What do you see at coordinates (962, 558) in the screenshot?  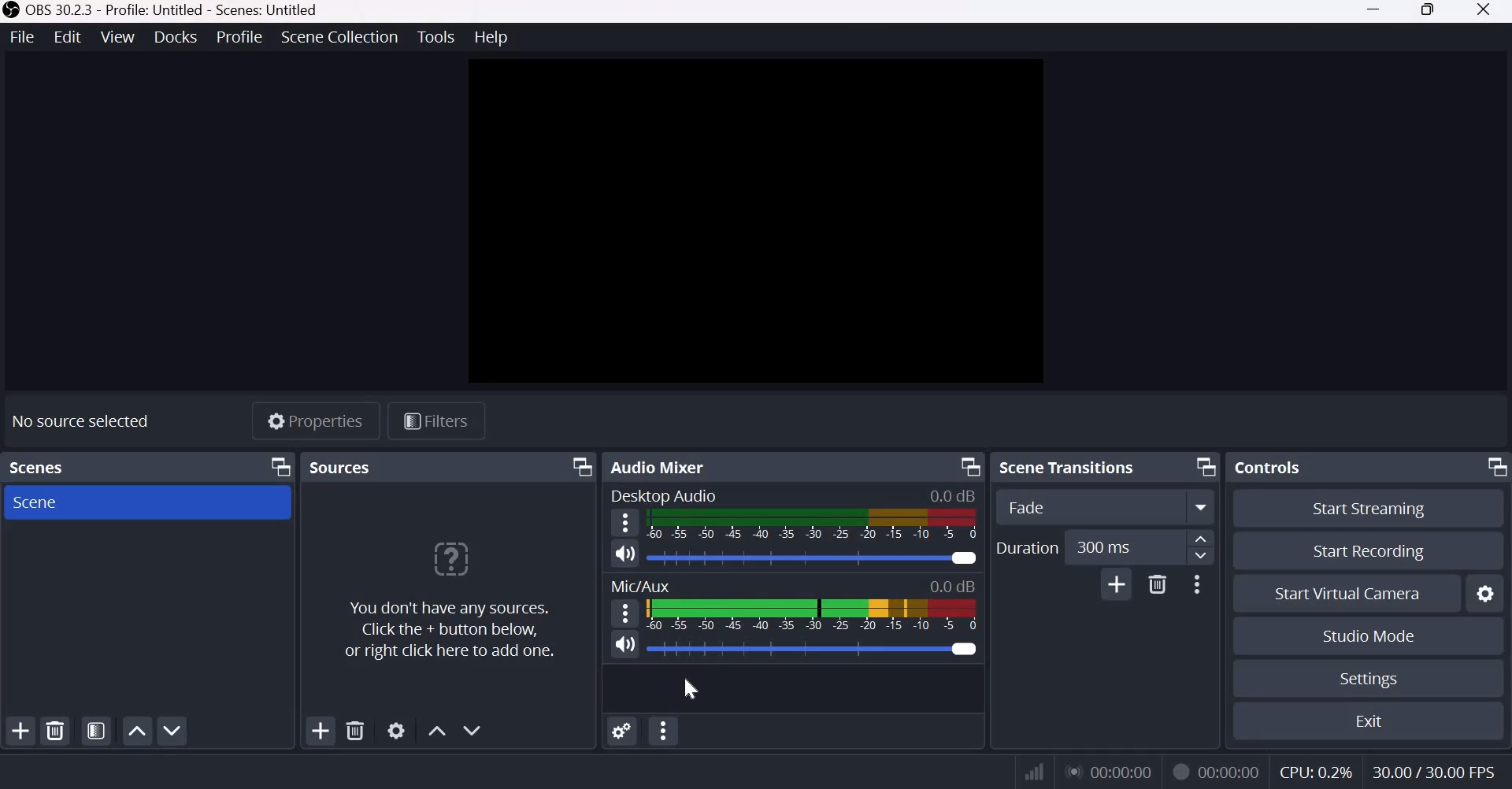 I see `Audio Slider` at bounding box center [962, 558].